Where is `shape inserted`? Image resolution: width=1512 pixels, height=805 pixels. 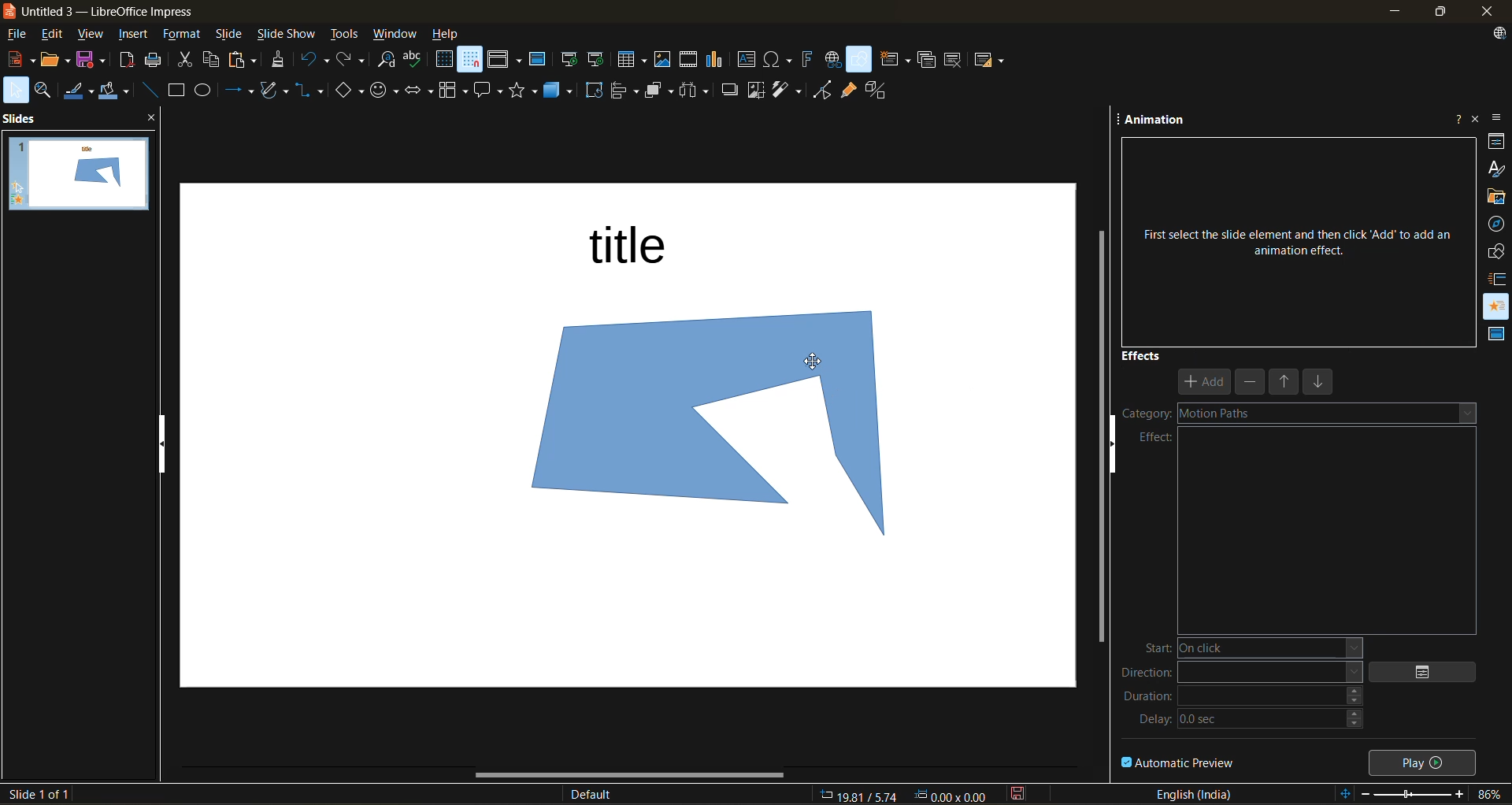
shape inserted is located at coordinates (665, 429).